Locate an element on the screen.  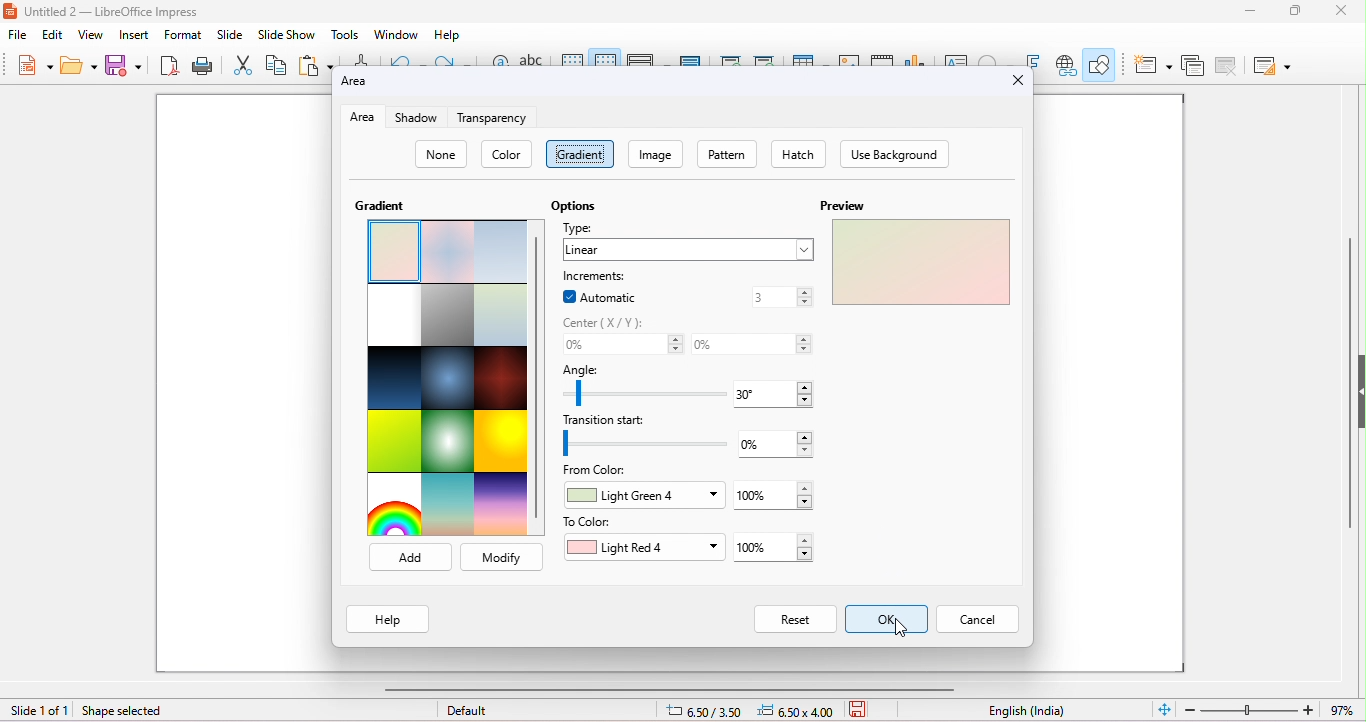
horizontal scroll bar is located at coordinates (673, 689).